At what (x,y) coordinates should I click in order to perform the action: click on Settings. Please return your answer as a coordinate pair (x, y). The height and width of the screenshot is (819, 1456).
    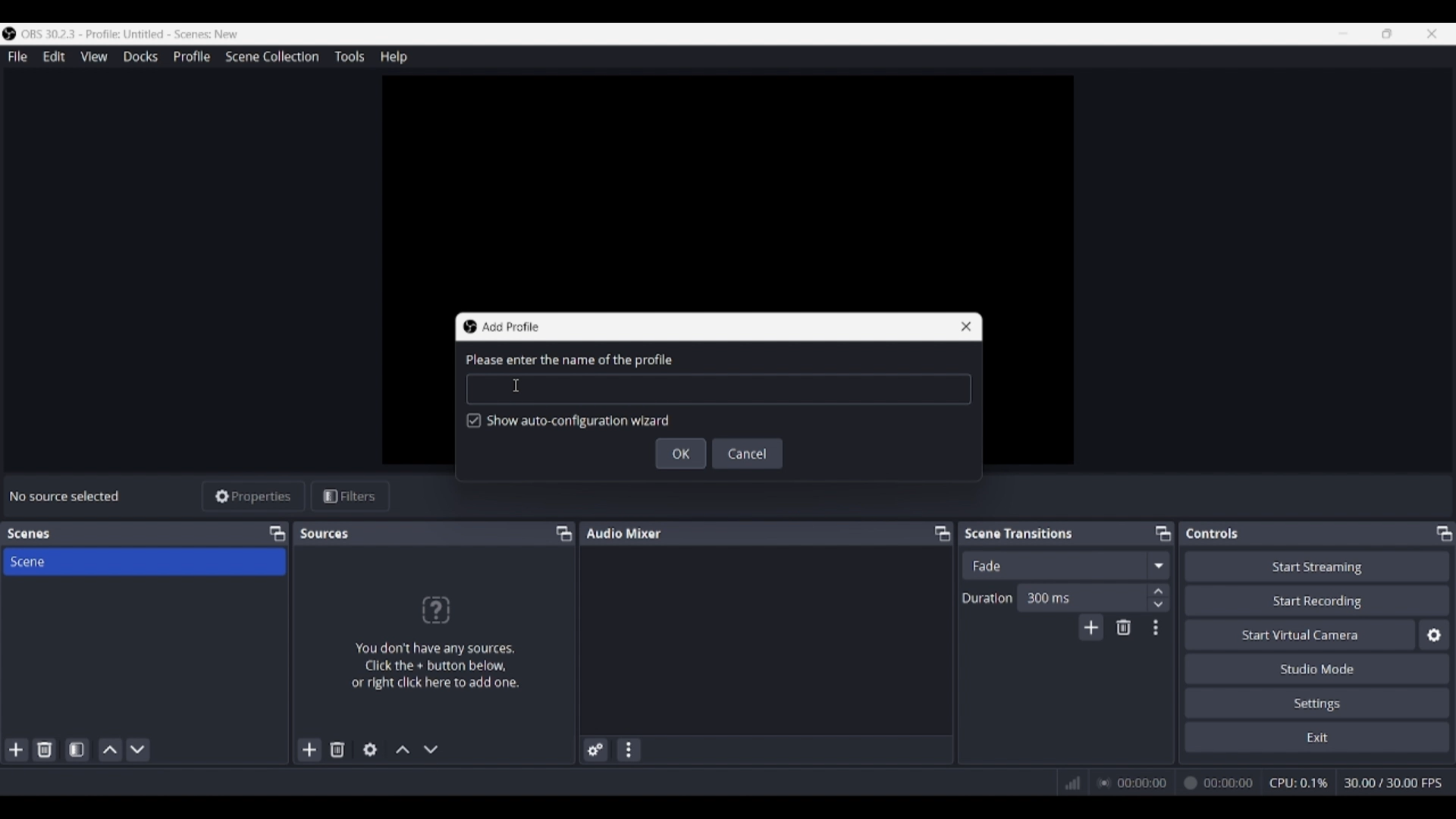
    Looking at the image, I should click on (1318, 702).